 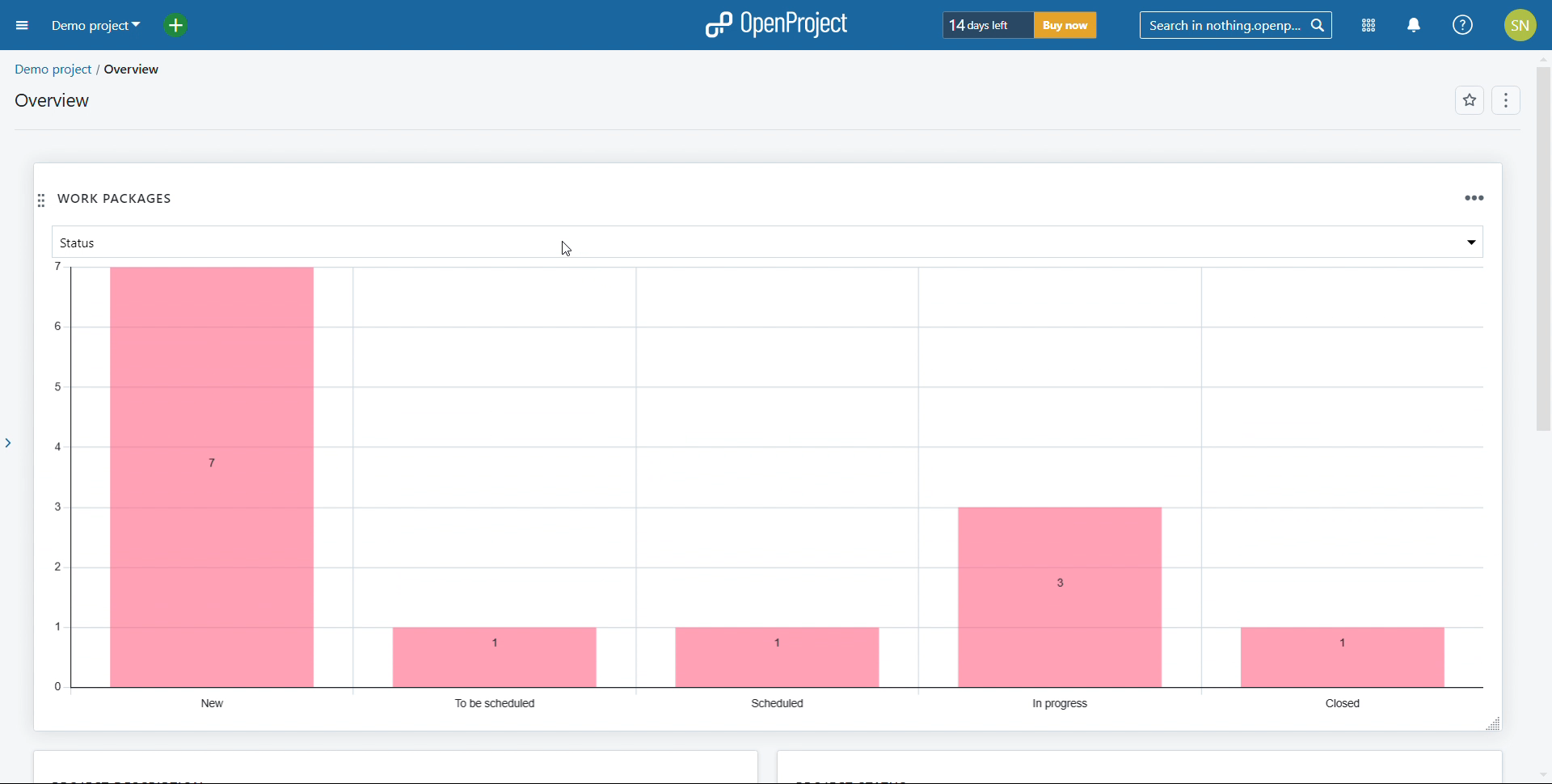 What do you see at coordinates (776, 24) in the screenshot?
I see `logo` at bounding box center [776, 24].